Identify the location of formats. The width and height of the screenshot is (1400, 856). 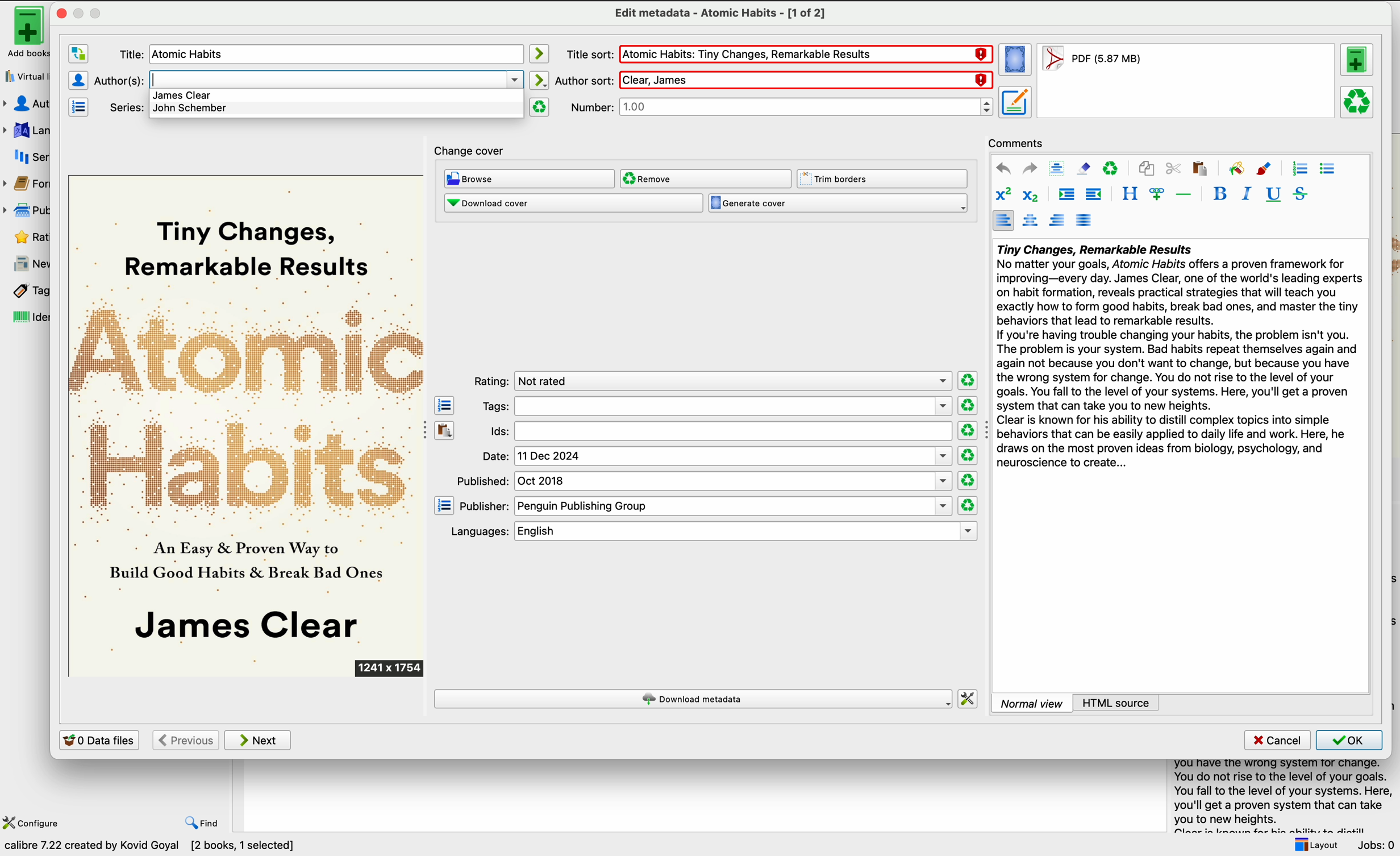
(28, 186).